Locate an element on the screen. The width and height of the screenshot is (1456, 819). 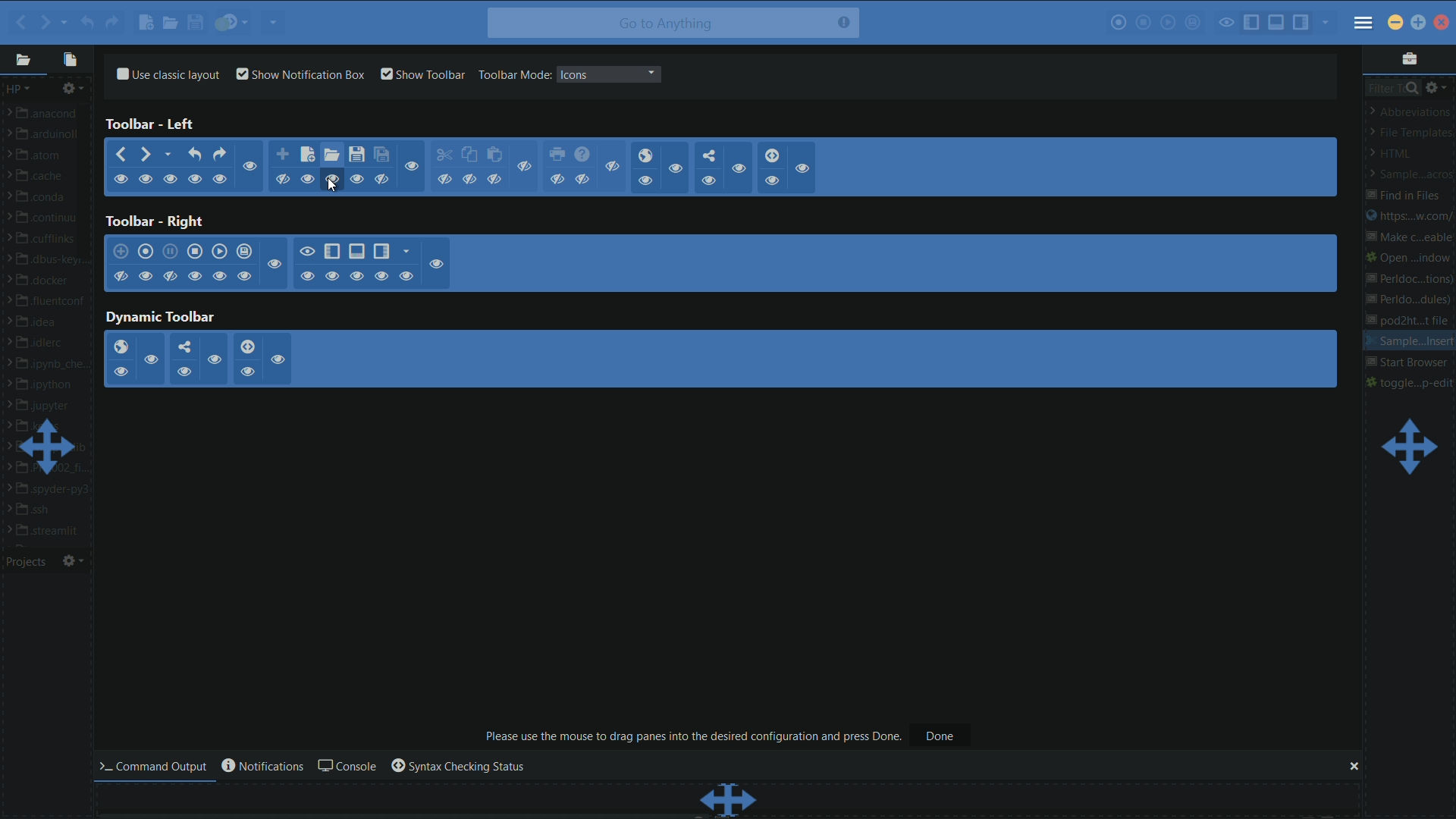
open file is located at coordinates (332, 156).